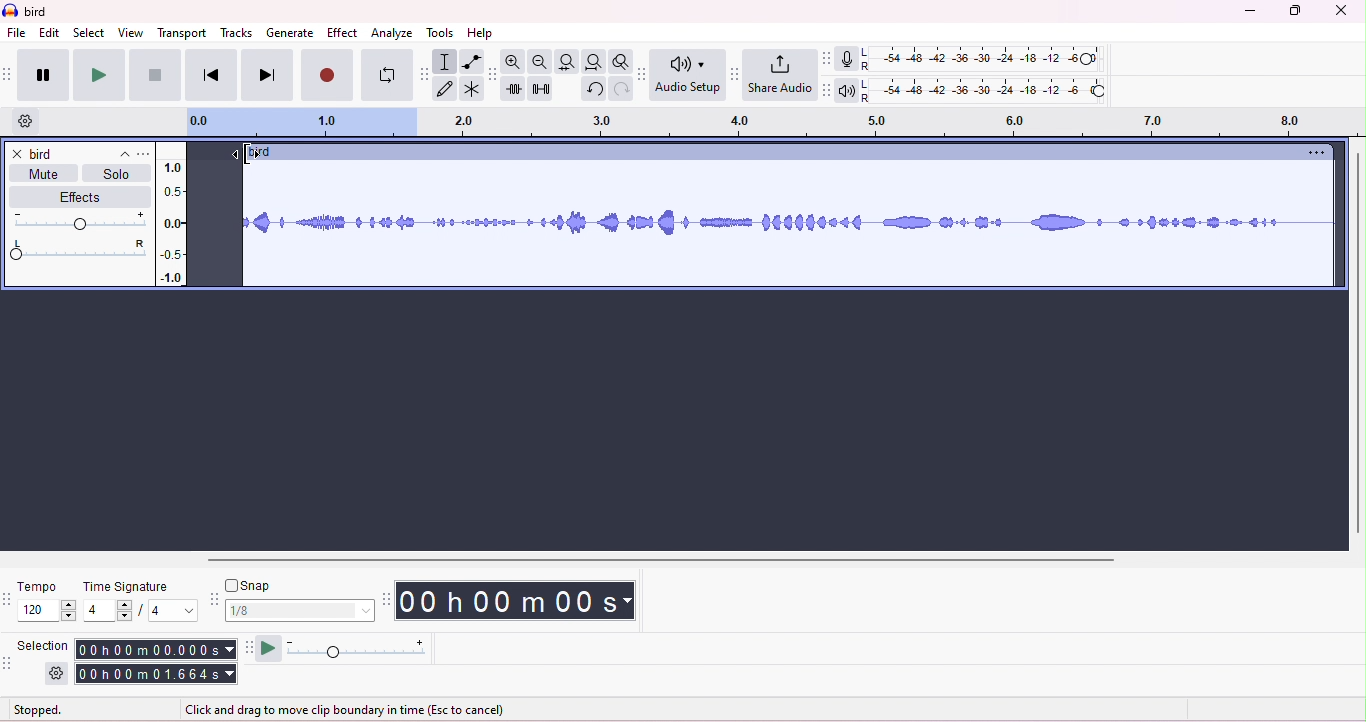 The height and width of the screenshot is (722, 1366). Describe the element at coordinates (50, 613) in the screenshot. I see `select tempo` at that location.